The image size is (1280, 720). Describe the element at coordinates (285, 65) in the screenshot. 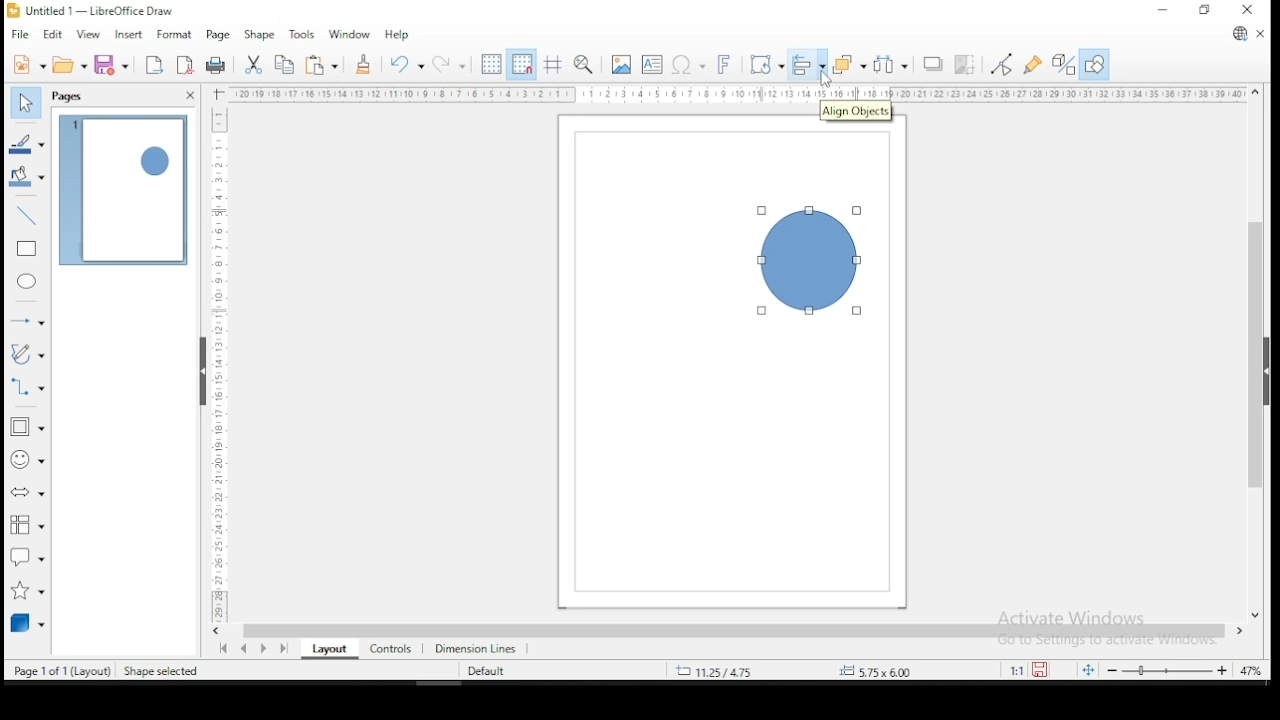

I see `copy` at that location.